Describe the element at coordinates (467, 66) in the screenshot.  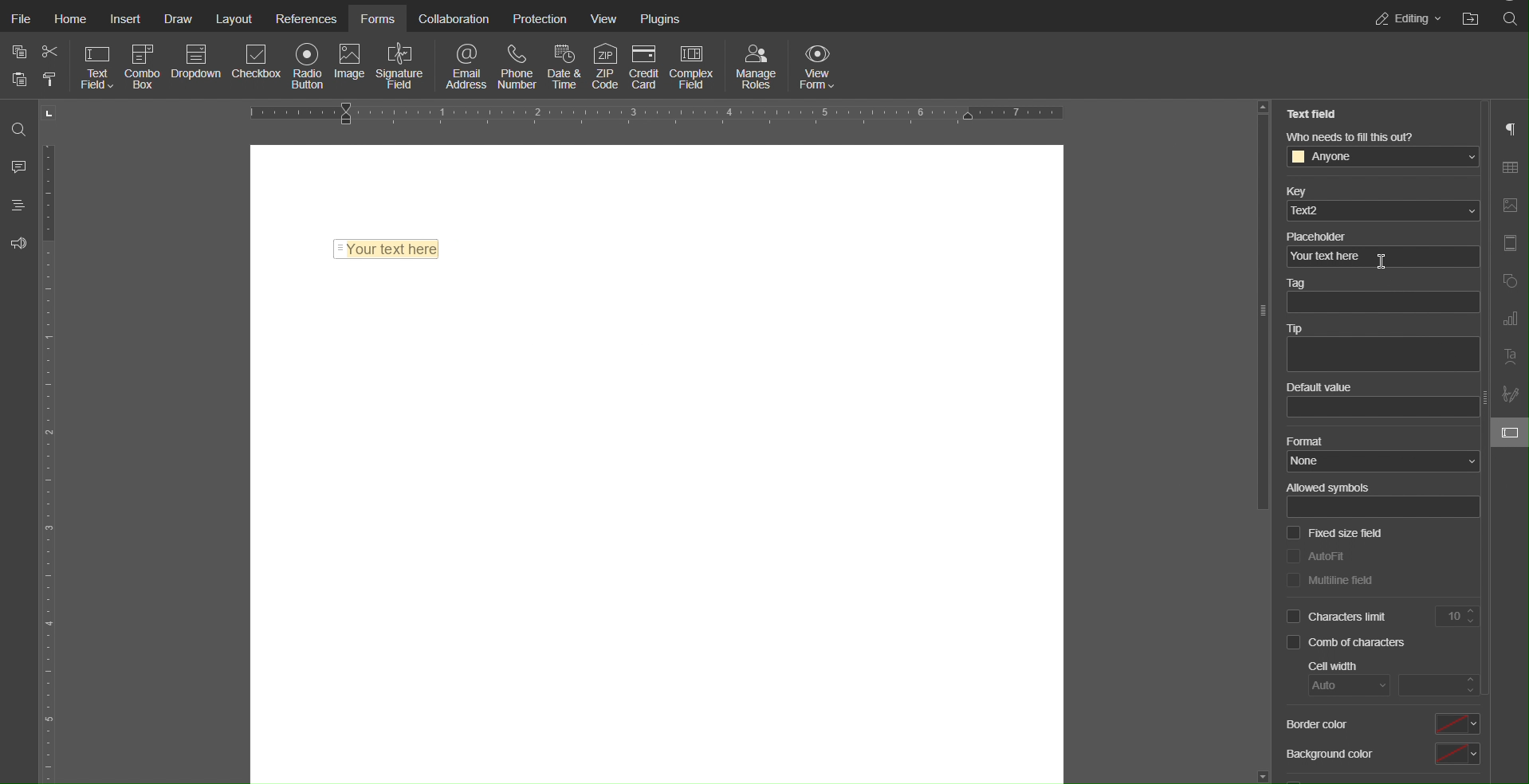
I see `Email Address` at that location.